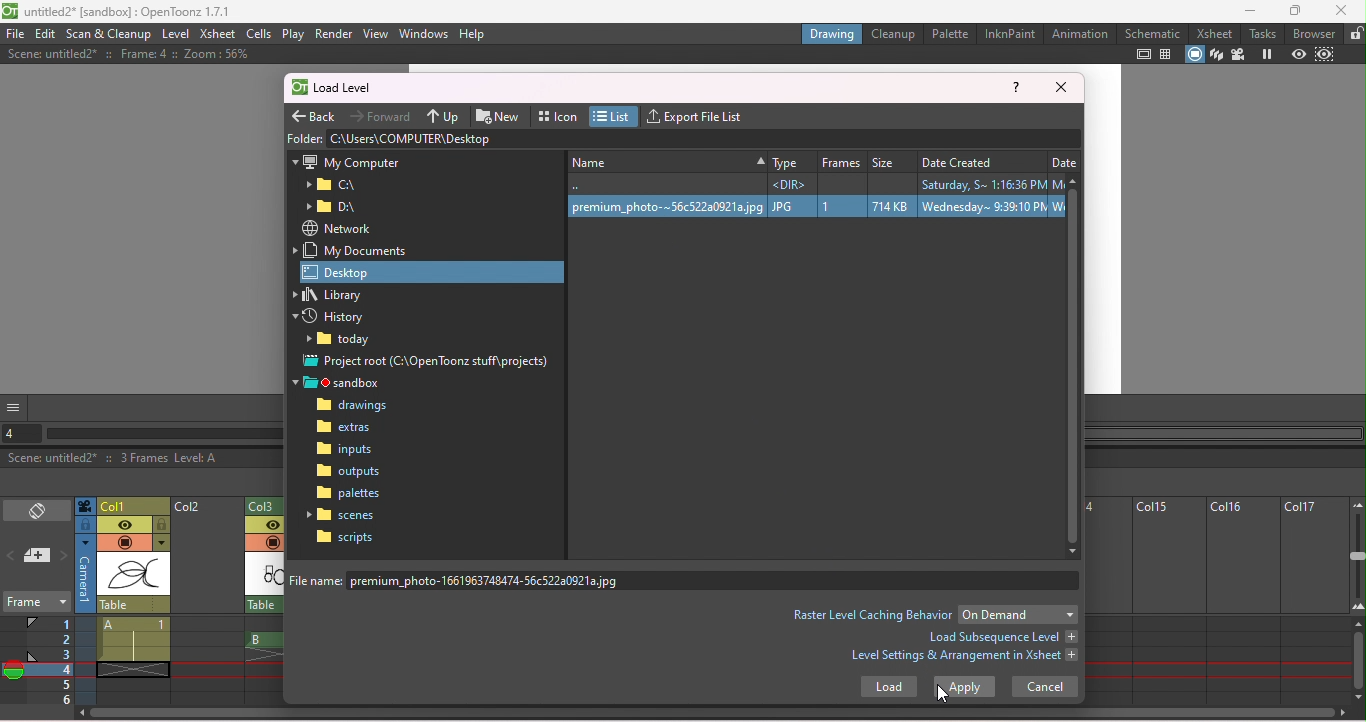 The image size is (1366, 722). Describe the element at coordinates (12, 558) in the screenshot. I see `Previous memo` at that location.